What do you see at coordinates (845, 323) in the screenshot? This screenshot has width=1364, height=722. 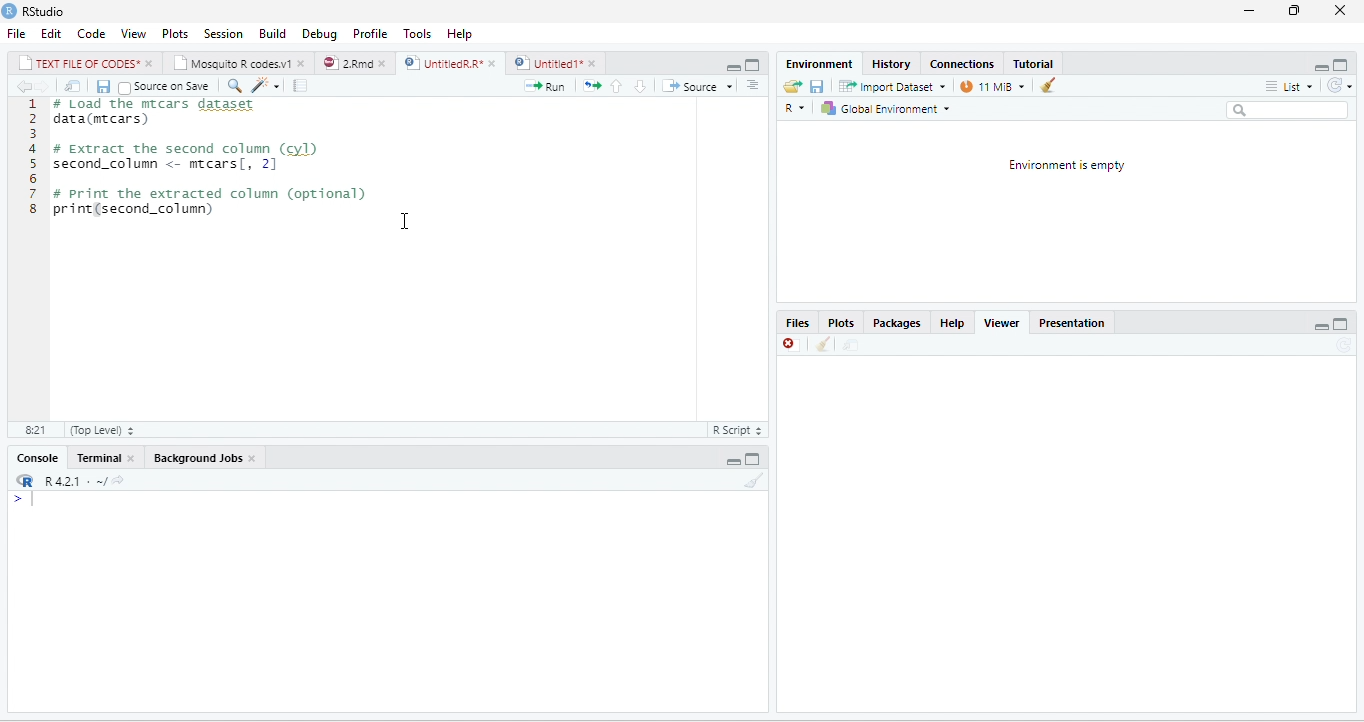 I see `Plots` at bounding box center [845, 323].